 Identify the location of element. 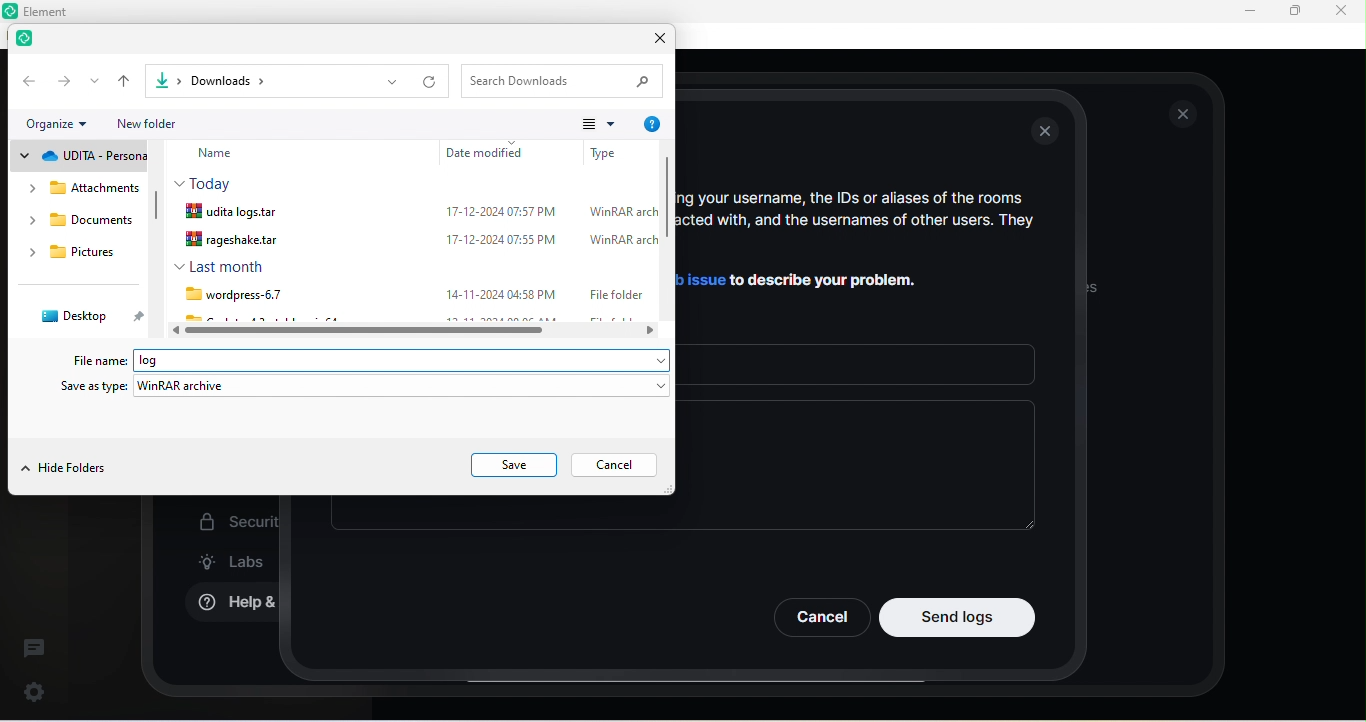
(30, 41).